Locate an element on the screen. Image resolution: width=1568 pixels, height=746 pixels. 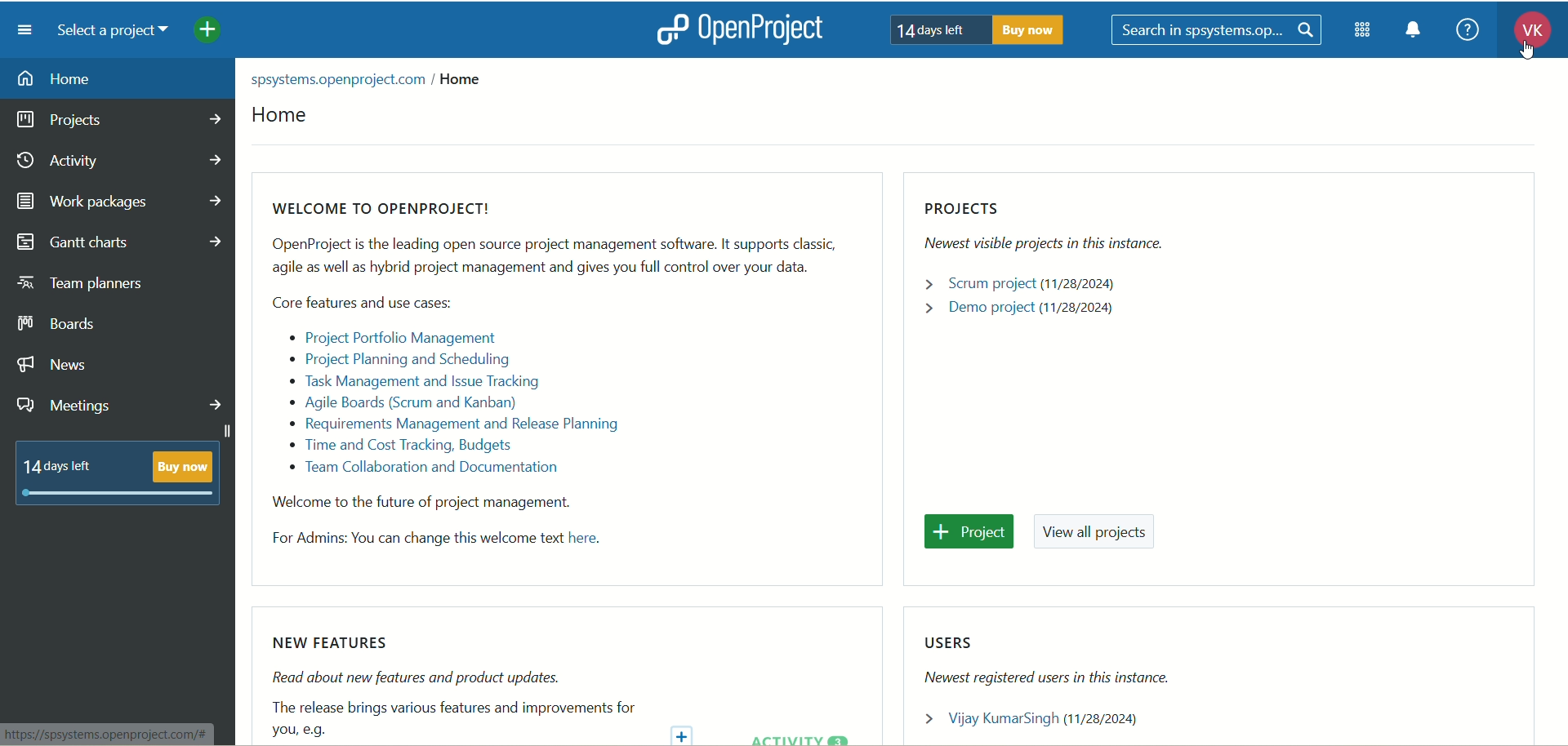
home is located at coordinates (120, 79).